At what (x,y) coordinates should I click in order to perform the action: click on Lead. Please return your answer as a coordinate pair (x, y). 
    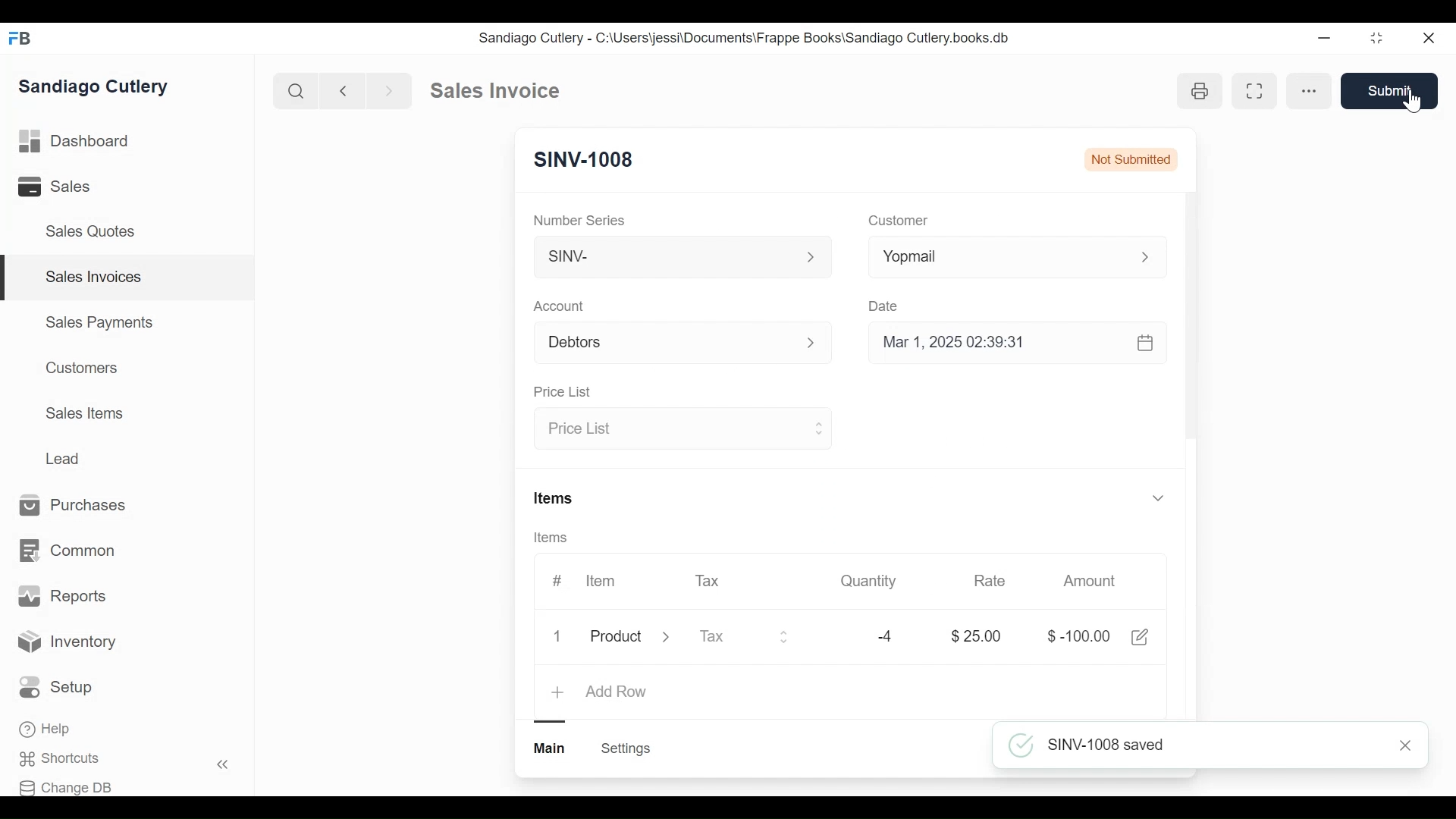
    Looking at the image, I should click on (64, 457).